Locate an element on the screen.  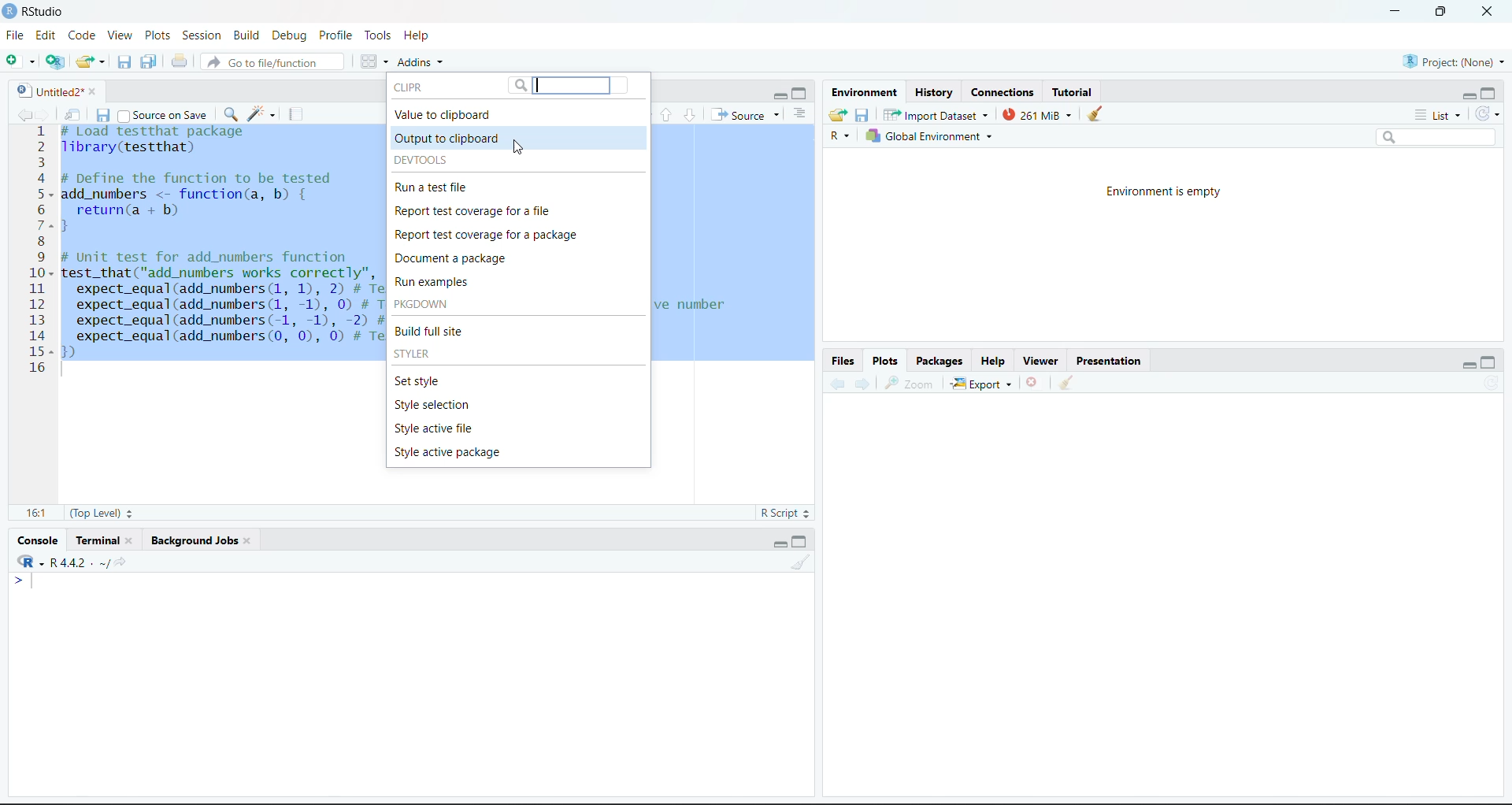
Help is located at coordinates (416, 35).